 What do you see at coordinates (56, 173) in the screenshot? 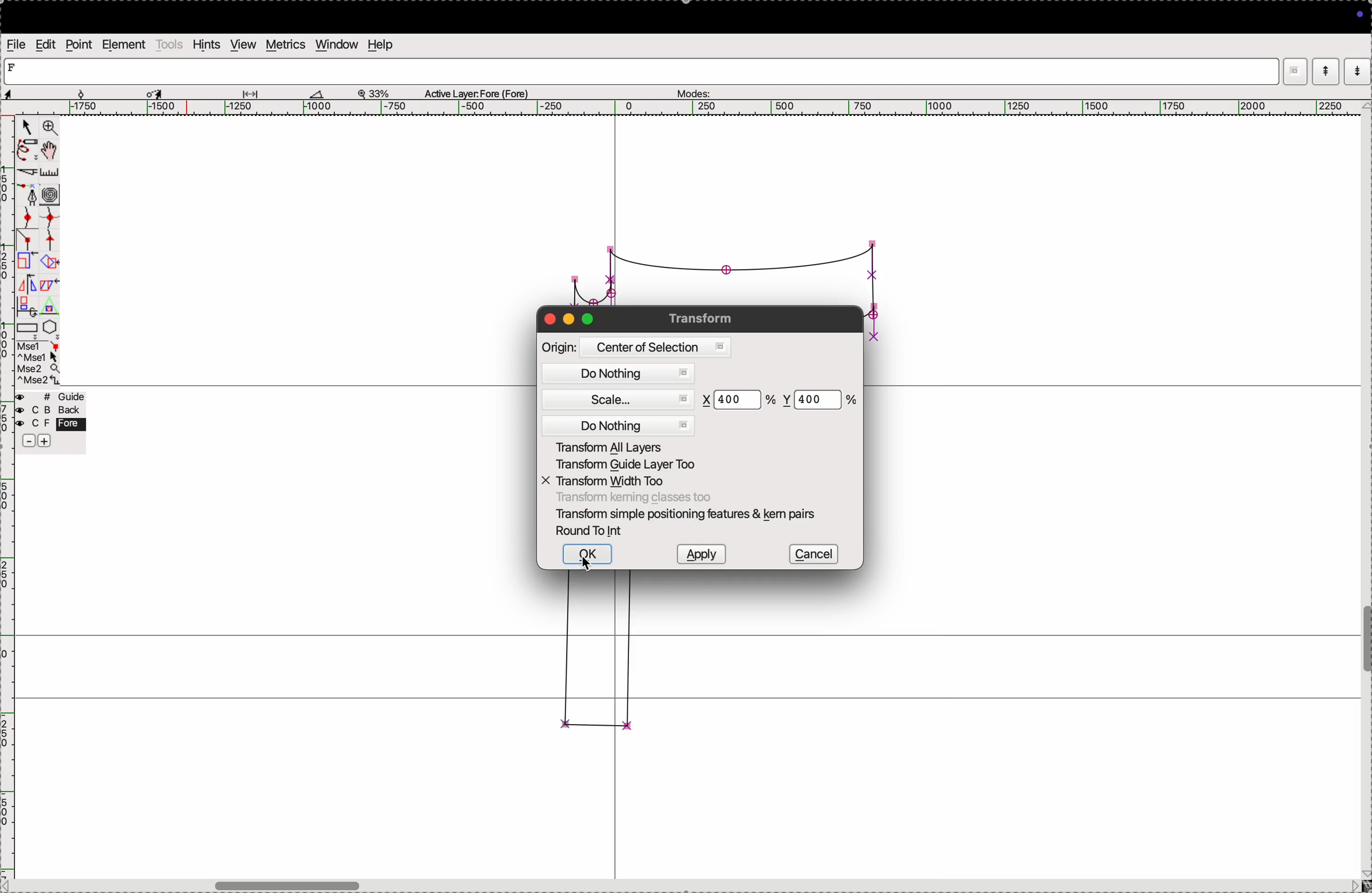
I see `ruler` at bounding box center [56, 173].